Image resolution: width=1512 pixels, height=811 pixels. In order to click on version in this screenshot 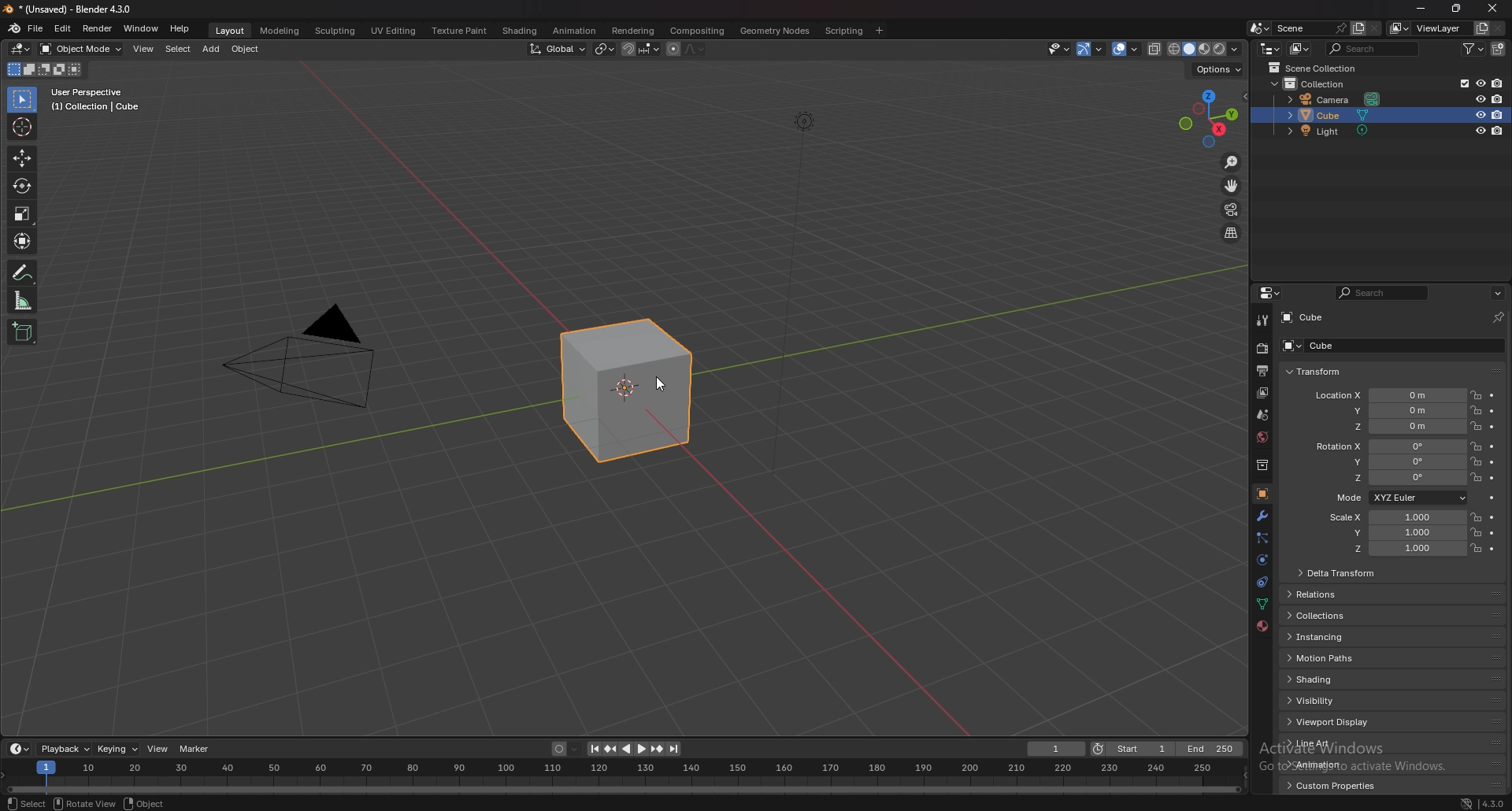, I will do `click(1494, 801)`.